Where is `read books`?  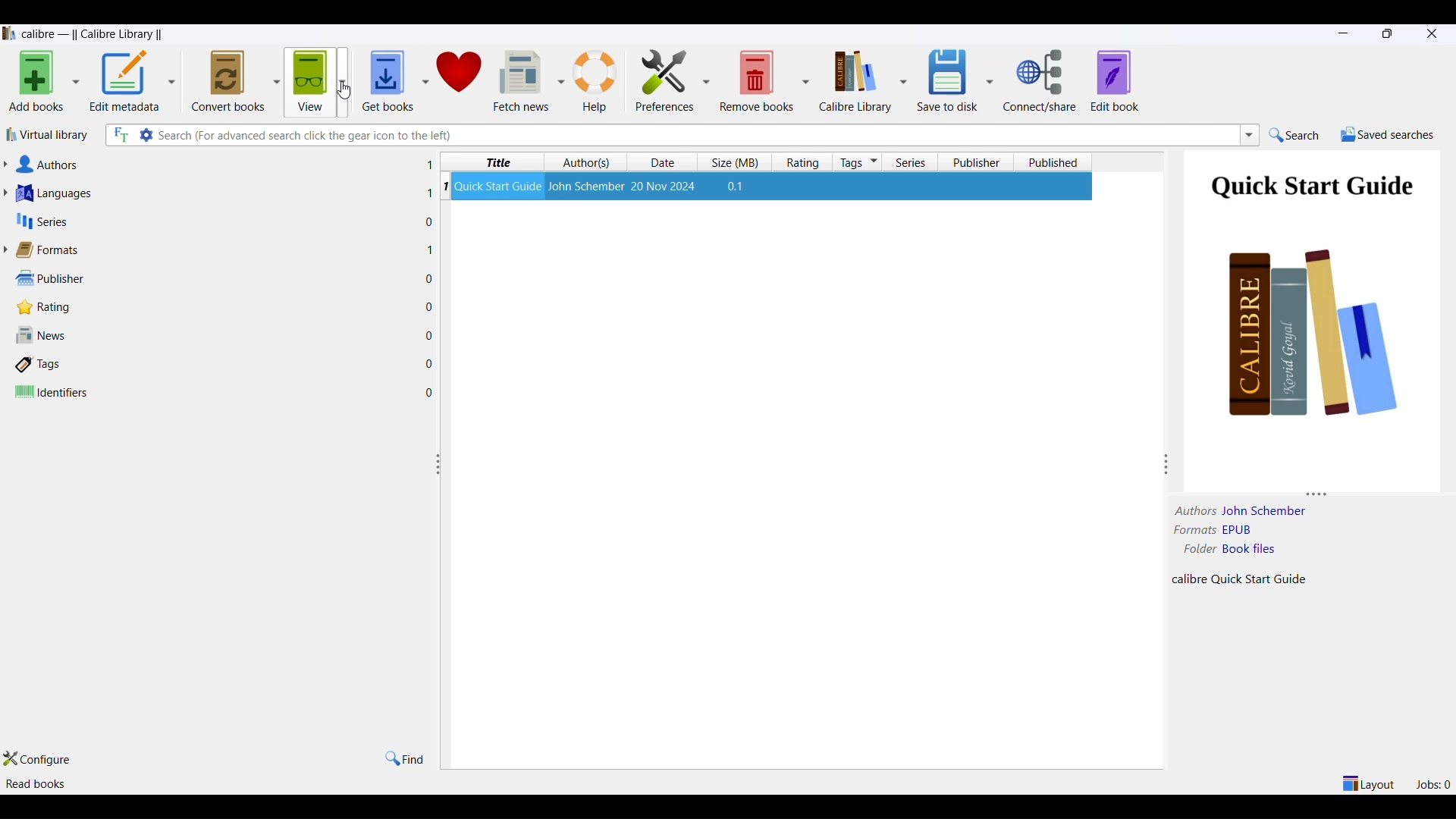
read books is located at coordinates (40, 782).